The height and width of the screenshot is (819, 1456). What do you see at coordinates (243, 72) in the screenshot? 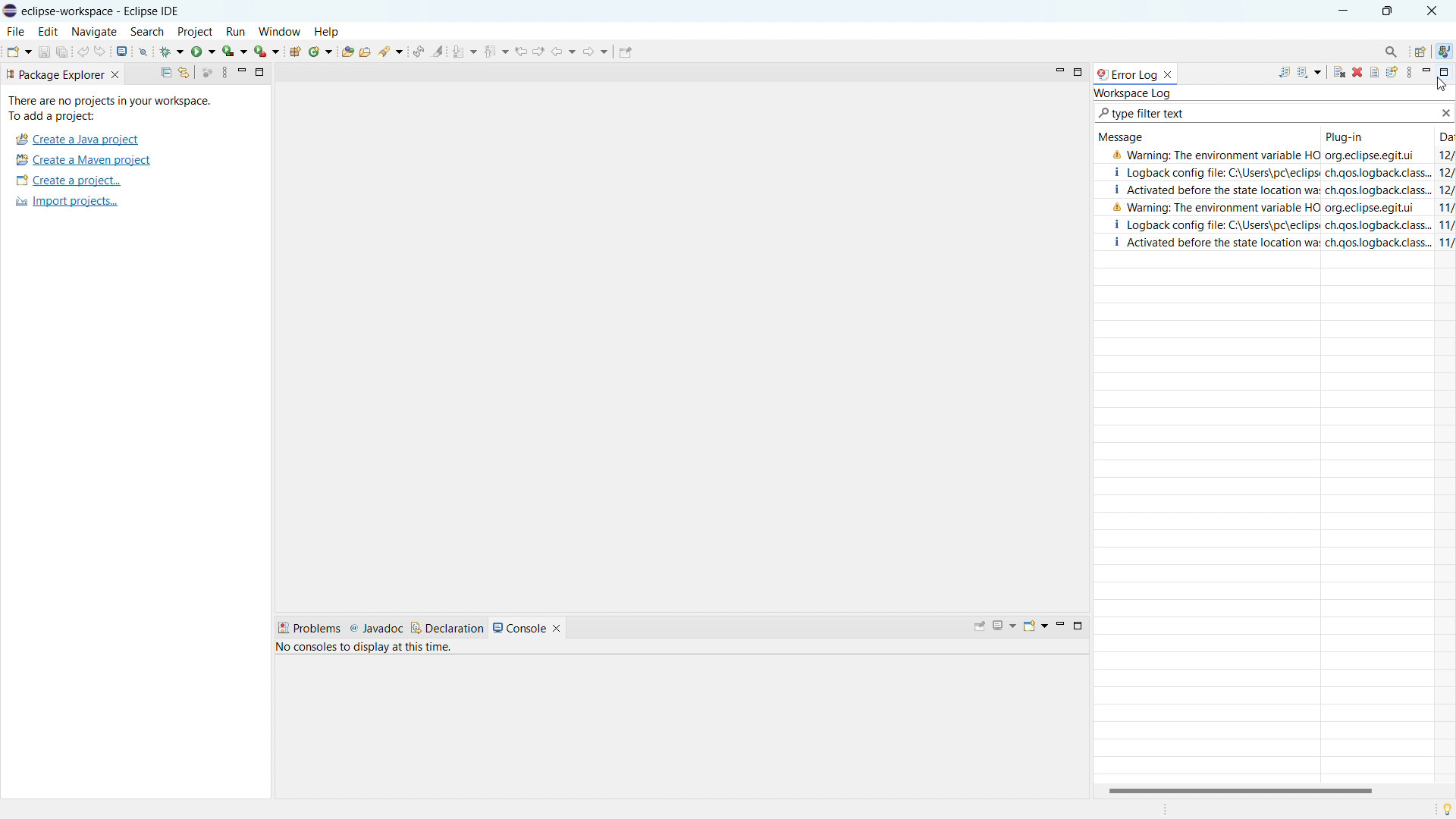
I see `minimize` at bounding box center [243, 72].